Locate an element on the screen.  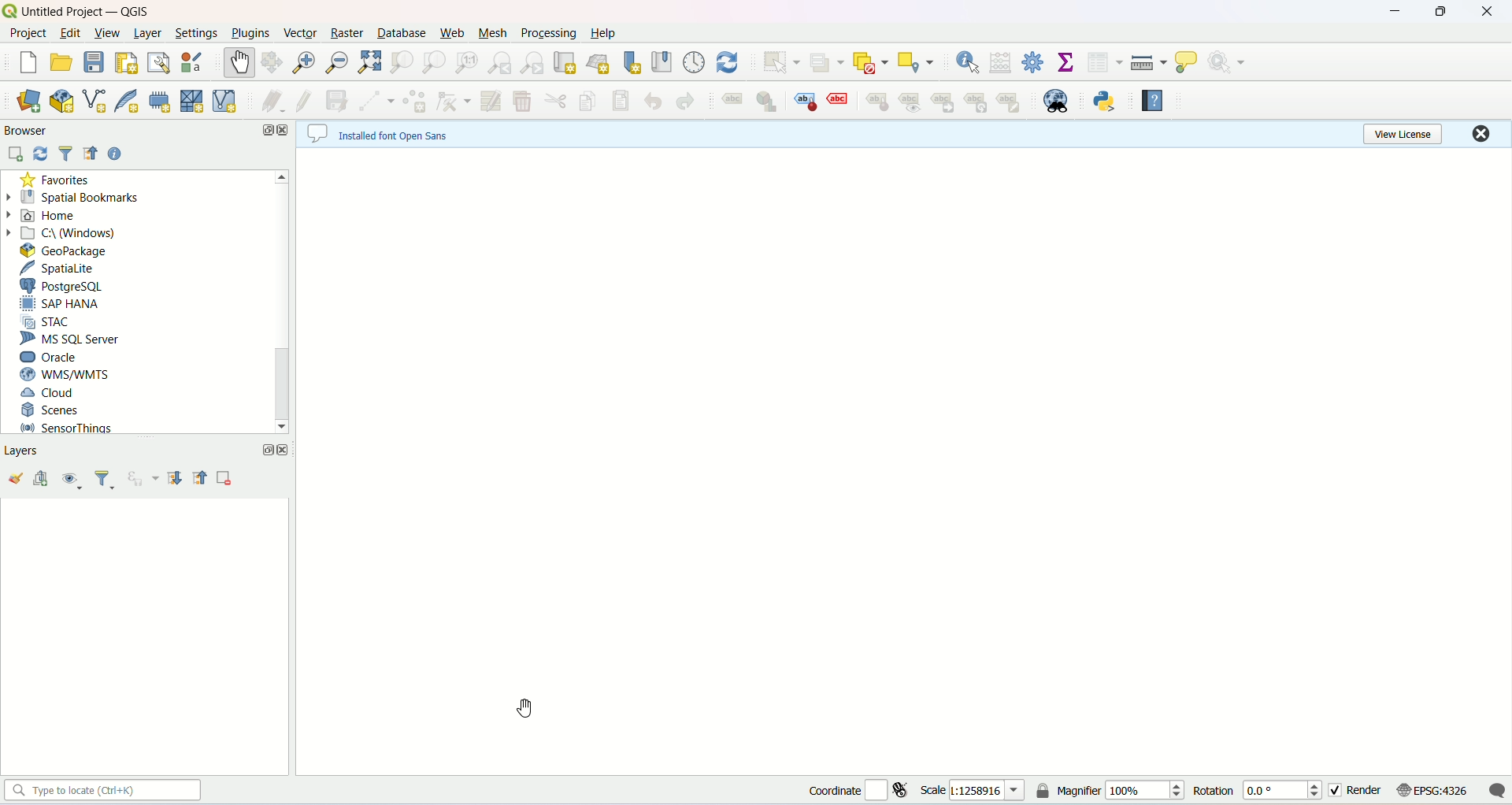
 is located at coordinates (265, 133).